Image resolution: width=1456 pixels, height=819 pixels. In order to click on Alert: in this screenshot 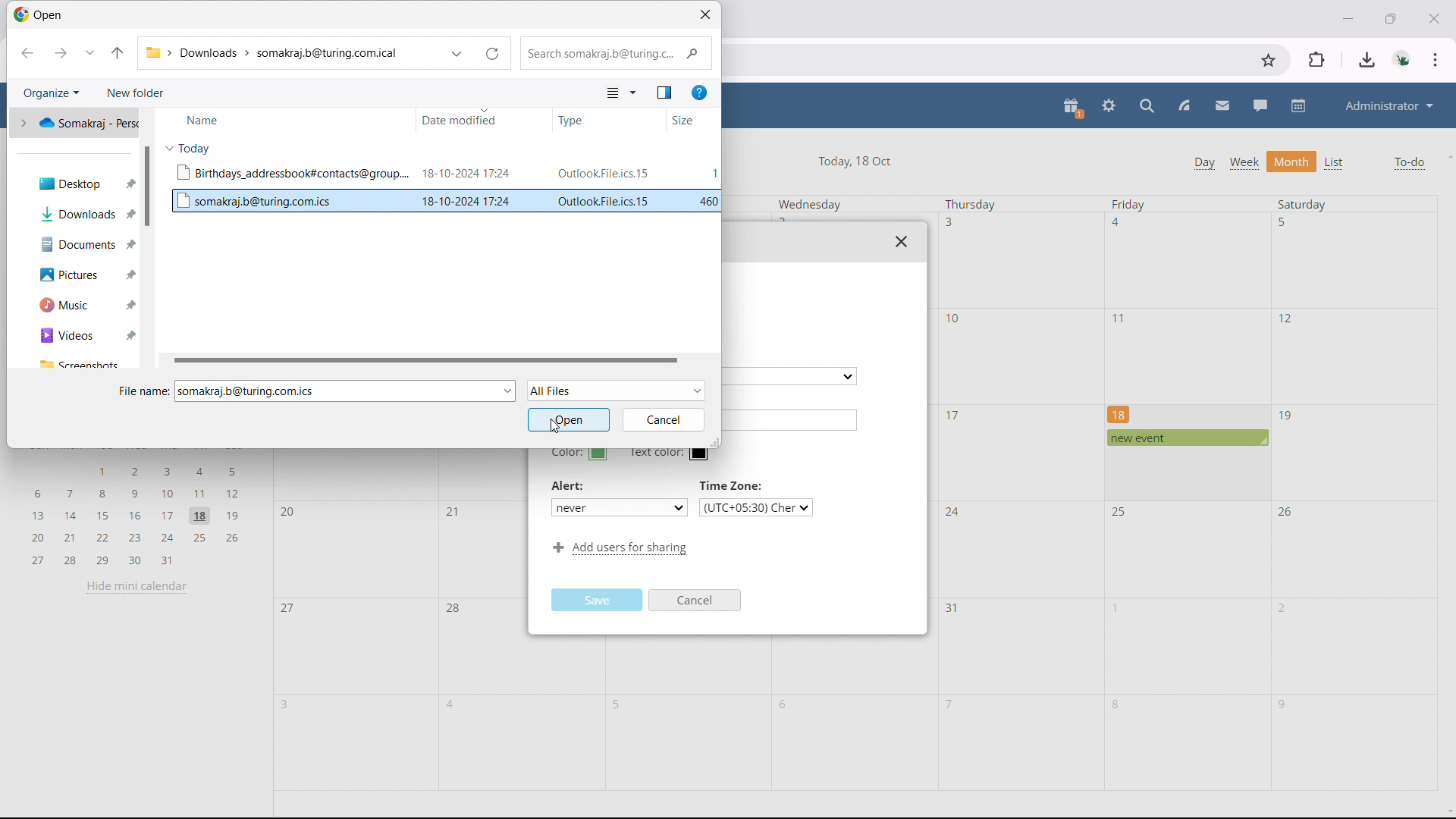, I will do `click(570, 486)`.